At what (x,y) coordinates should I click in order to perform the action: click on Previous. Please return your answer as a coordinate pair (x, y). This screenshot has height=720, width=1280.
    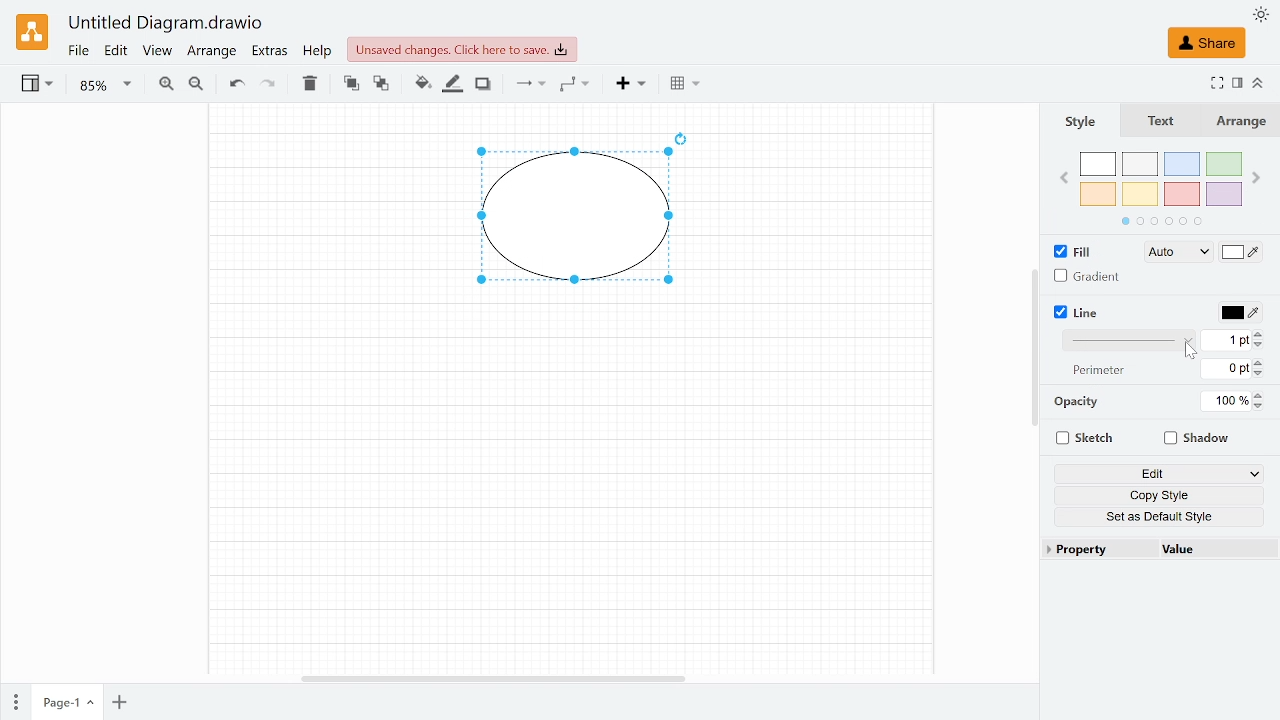
    Looking at the image, I should click on (1064, 175).